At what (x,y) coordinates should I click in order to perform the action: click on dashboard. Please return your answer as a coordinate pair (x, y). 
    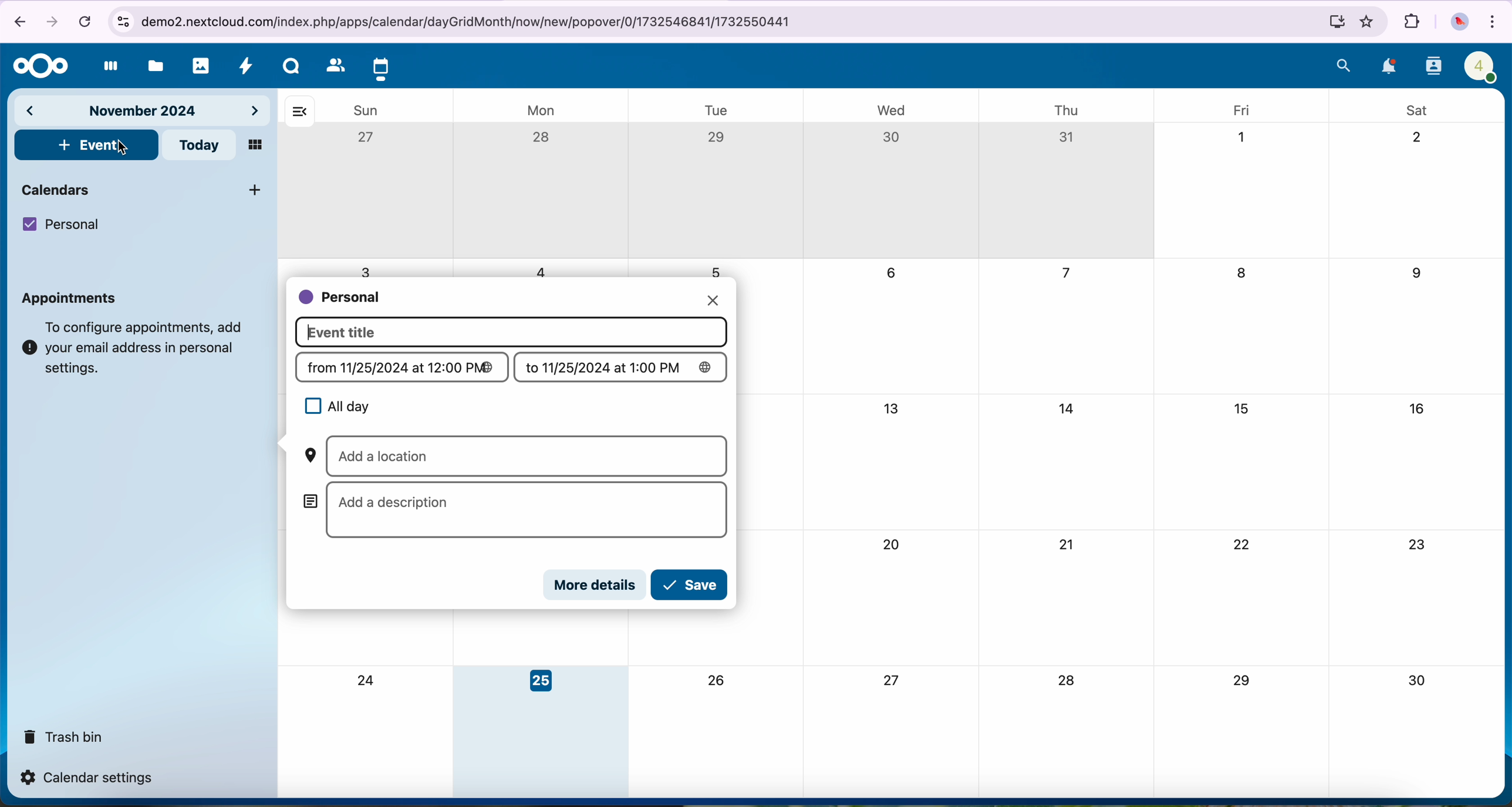
    Looking at the image, I should click on (107, 67).